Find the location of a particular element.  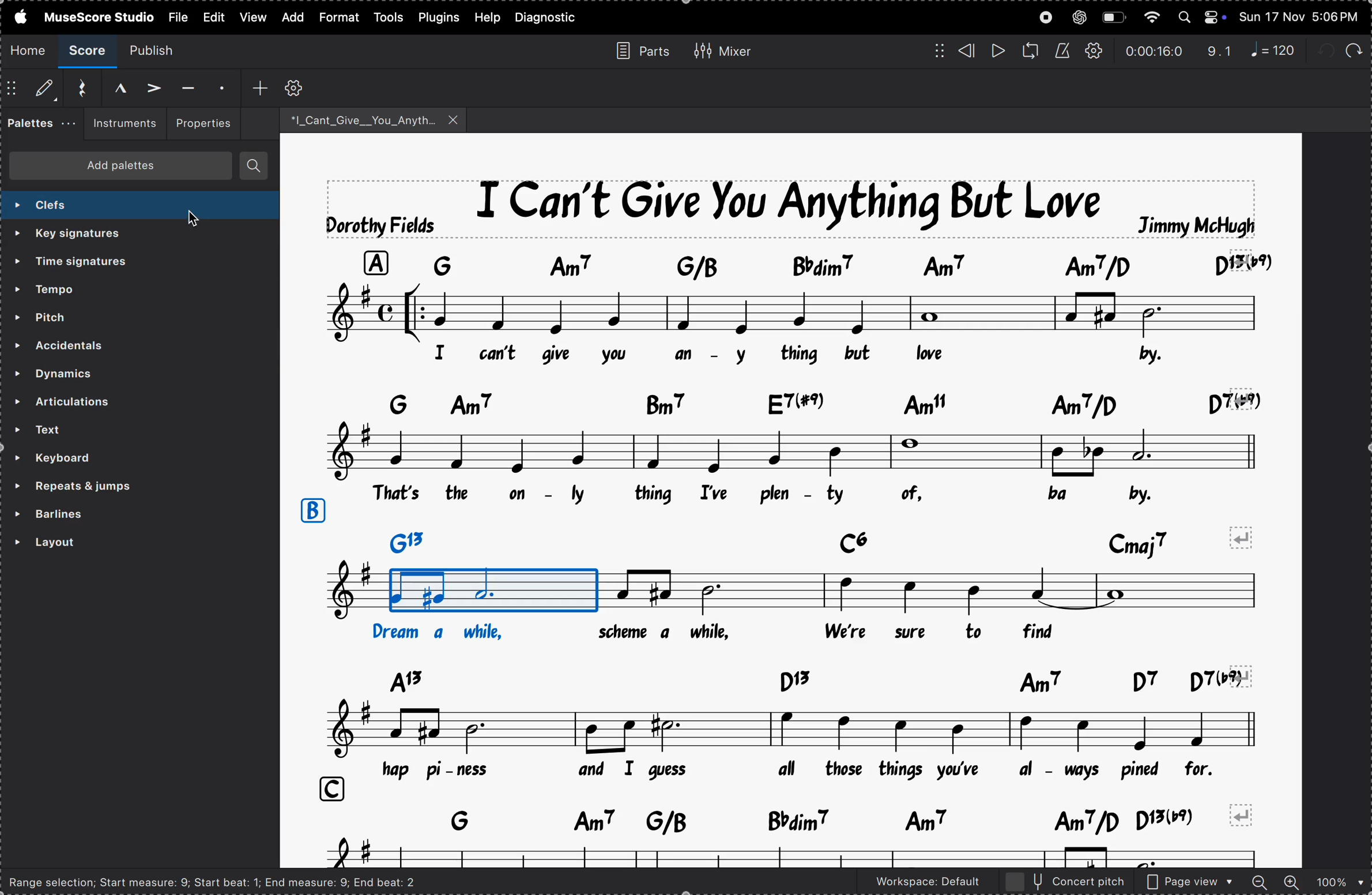

pitch is located at coordinates (77, 317).